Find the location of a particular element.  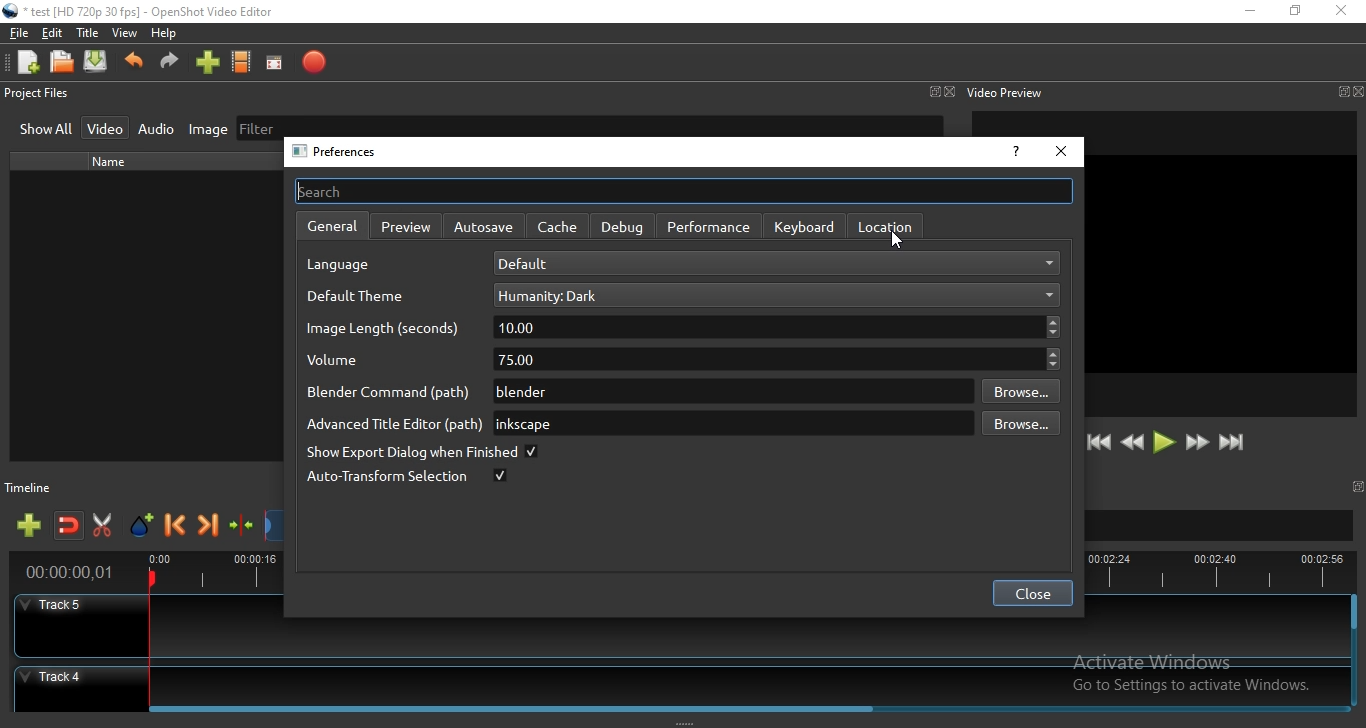

10.00 is located at coordinates (778, 327).